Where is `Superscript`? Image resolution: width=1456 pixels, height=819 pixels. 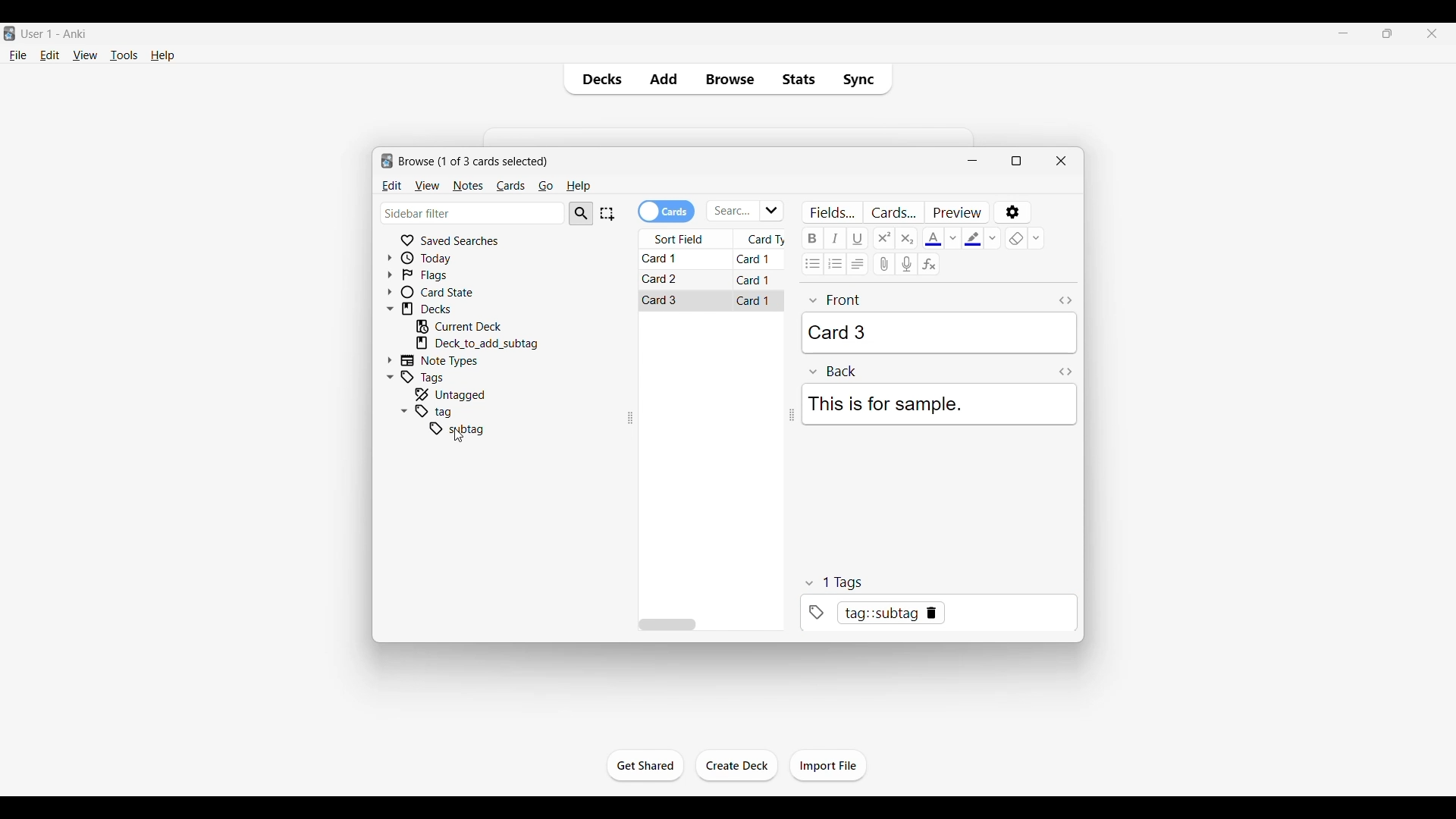
Superscript is located at coordinates (883, 238).